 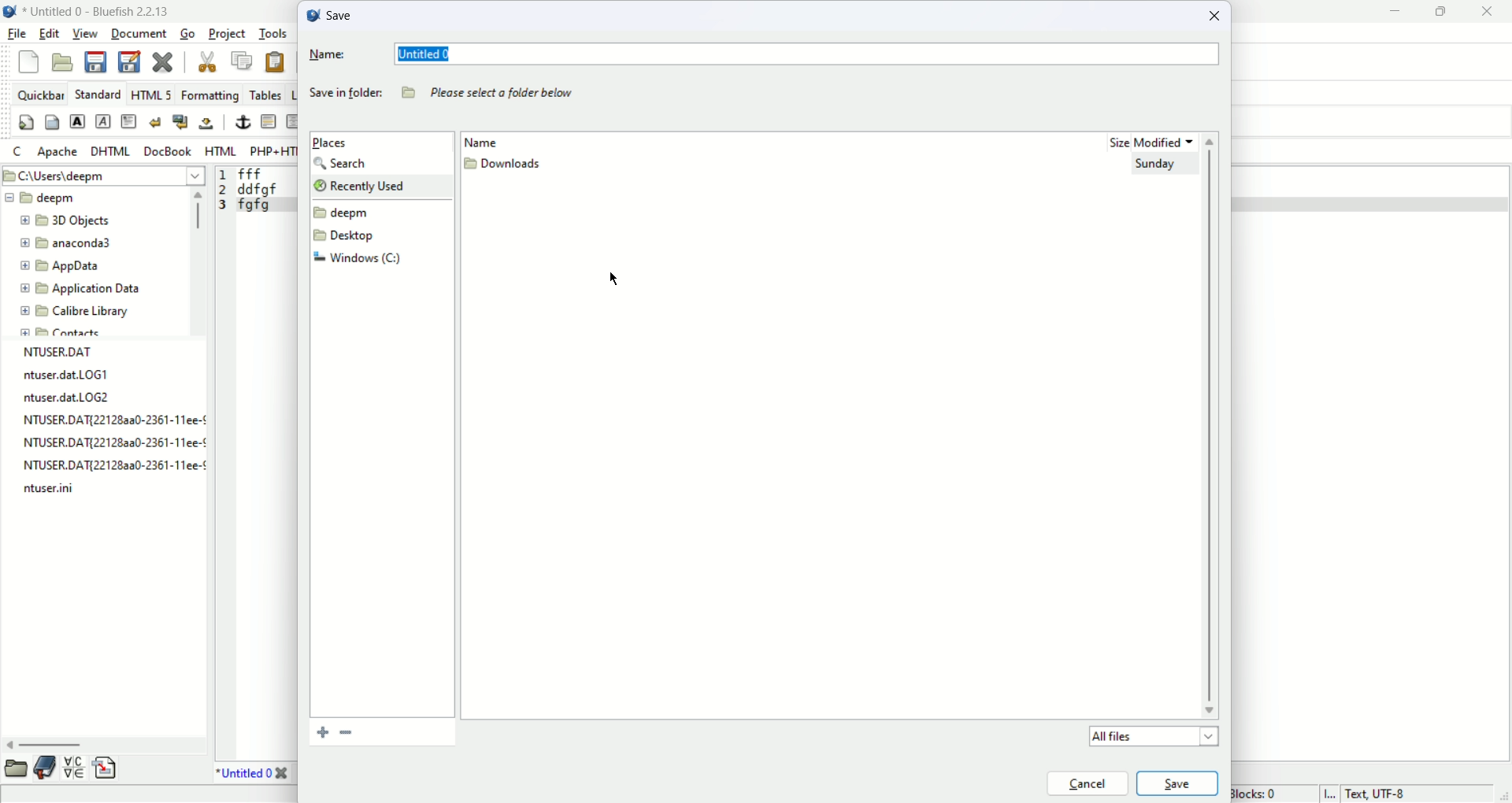 What do you see at coordinates (166, 151) in the screenshot?
I see `Docbook` at bounding box center [166, 151].